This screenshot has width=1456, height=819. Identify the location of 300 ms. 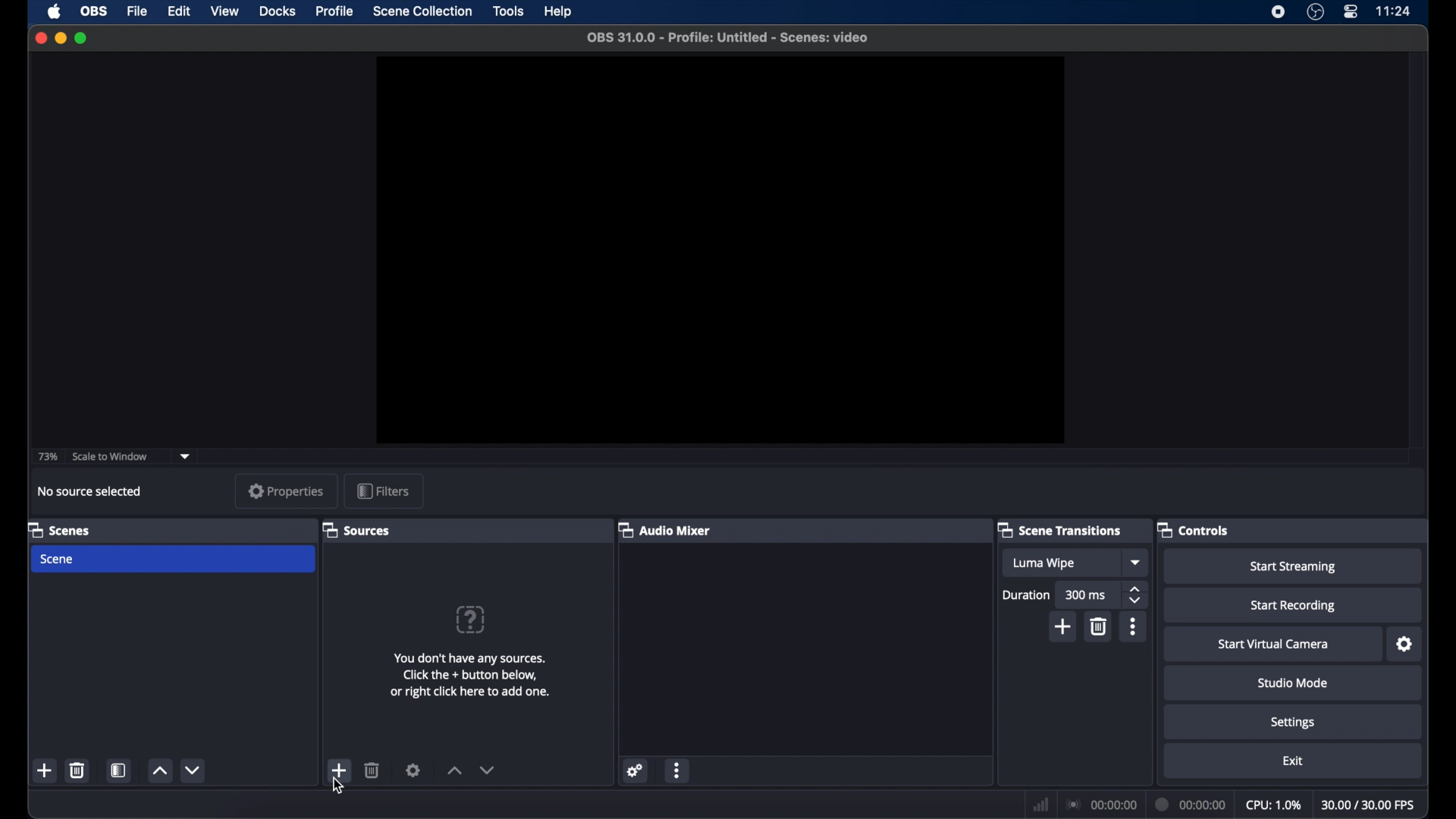
(1086, 595).